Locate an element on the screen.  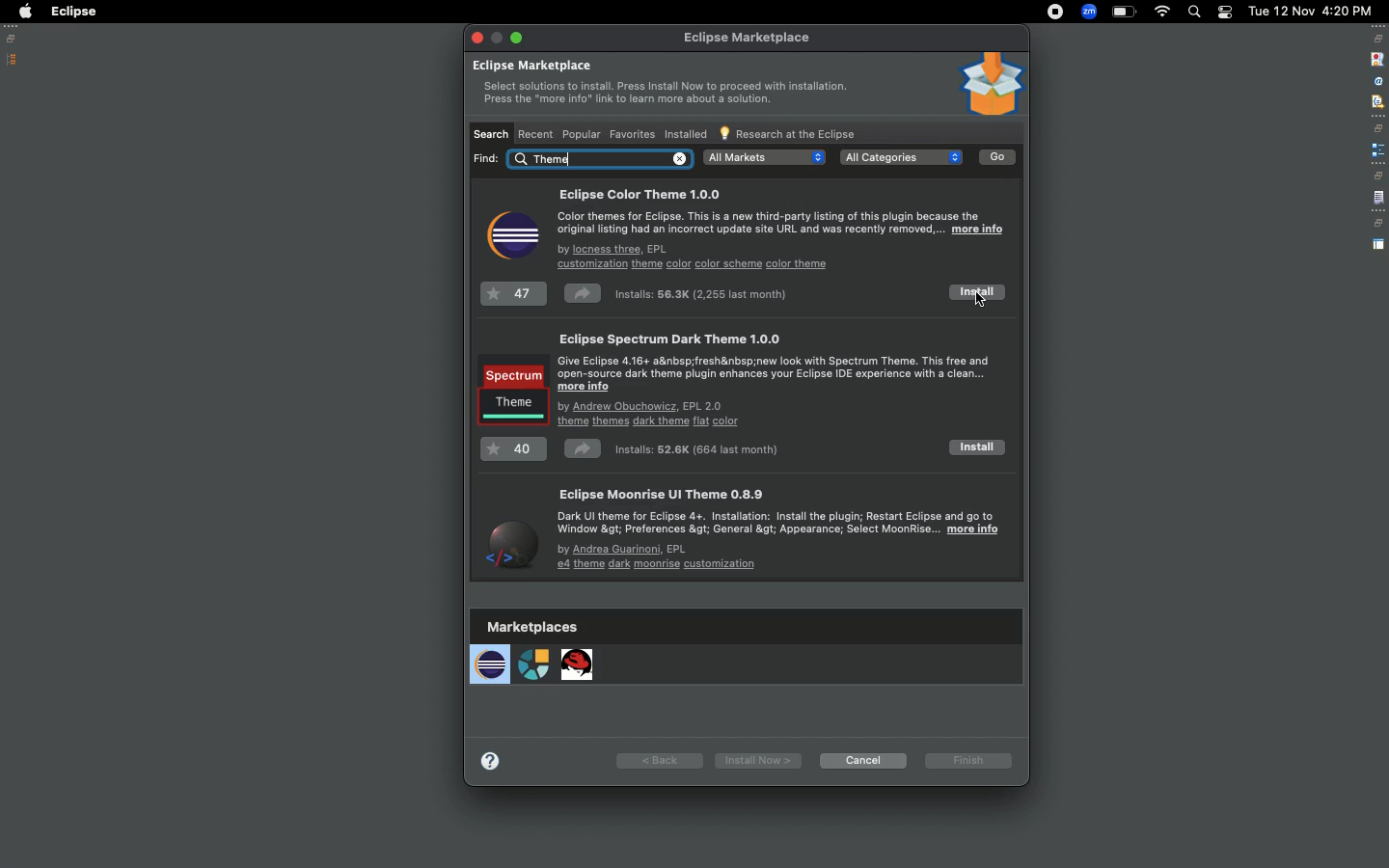
Restore is located at coordinates (14, 39).